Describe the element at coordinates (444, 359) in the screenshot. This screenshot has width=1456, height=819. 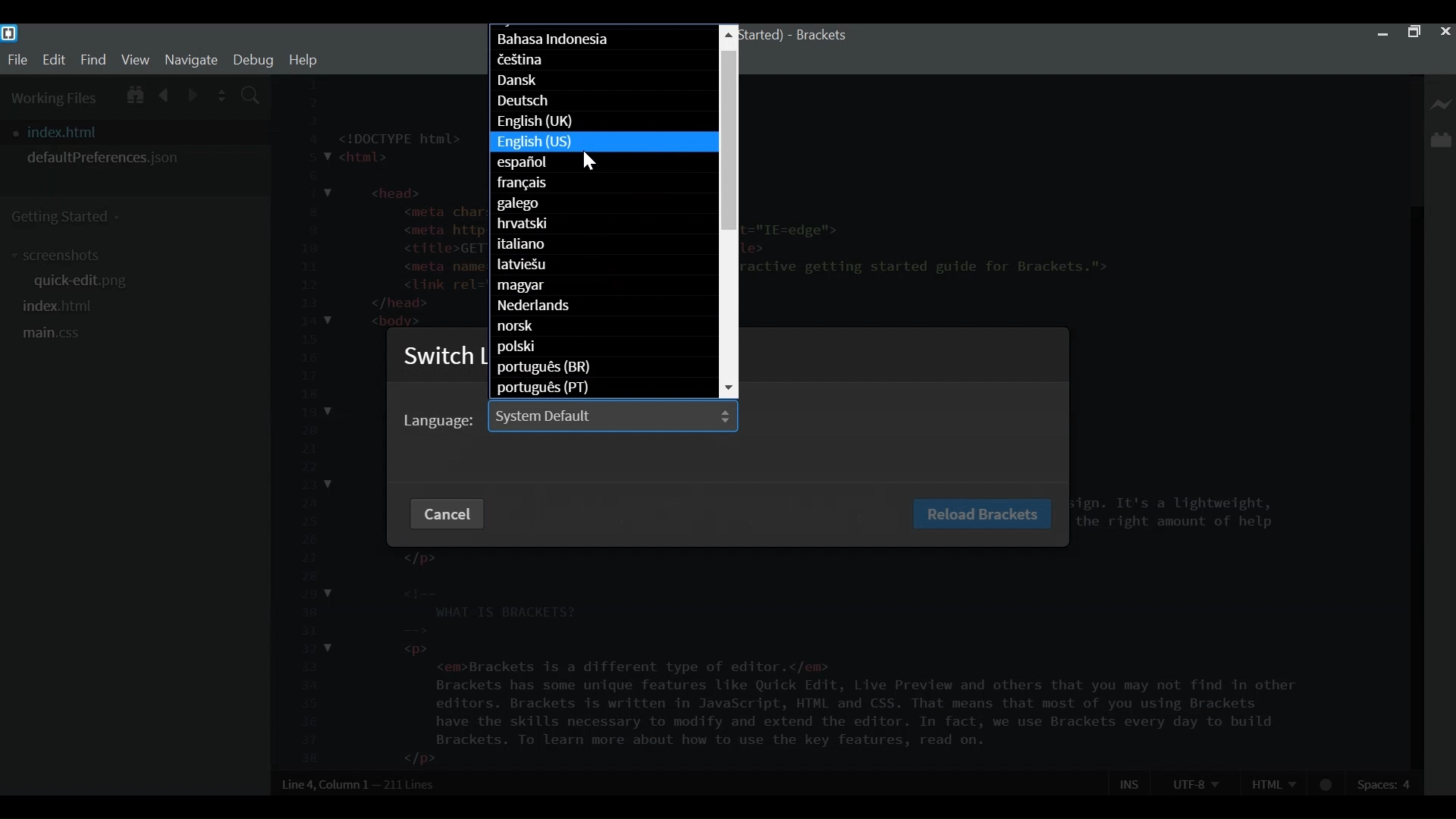
I see `Switch Language` at that location.